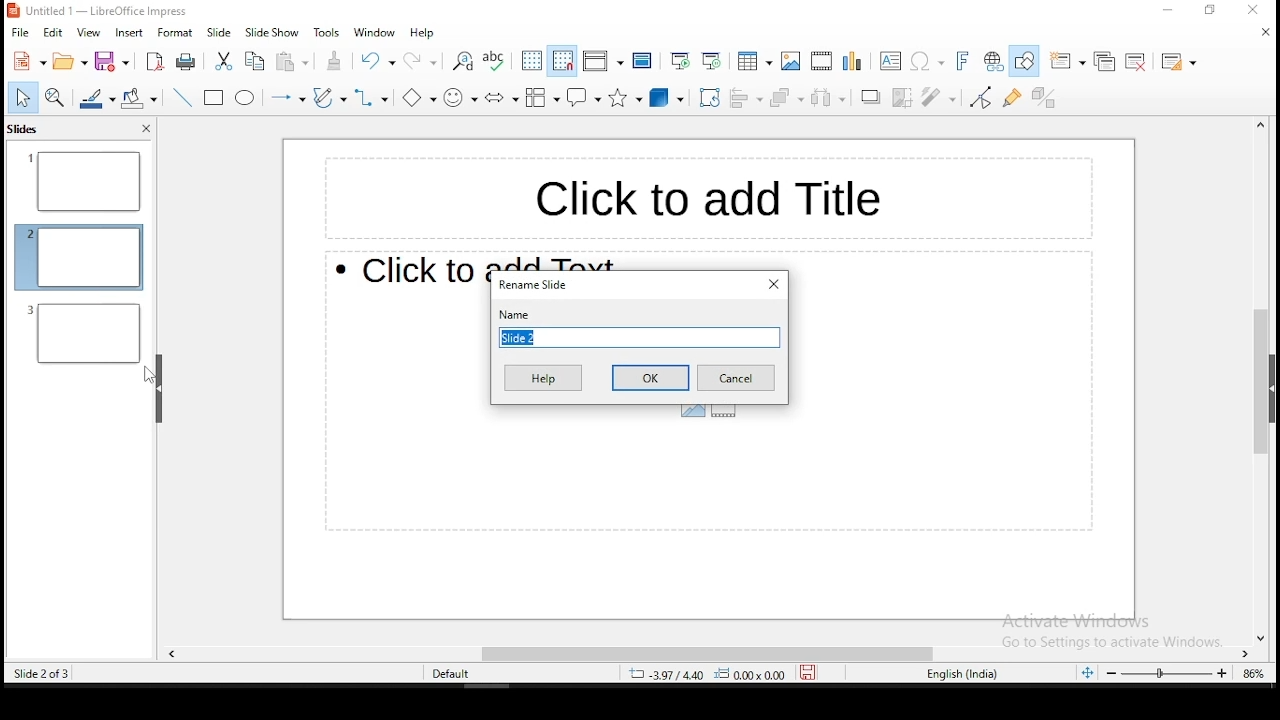 The height and width of the screenshot is (720, 1280). What do you see at coordinates (1024, 60) in the screenshot?
I see `show draw functions` at bounding box center [1024, 60].